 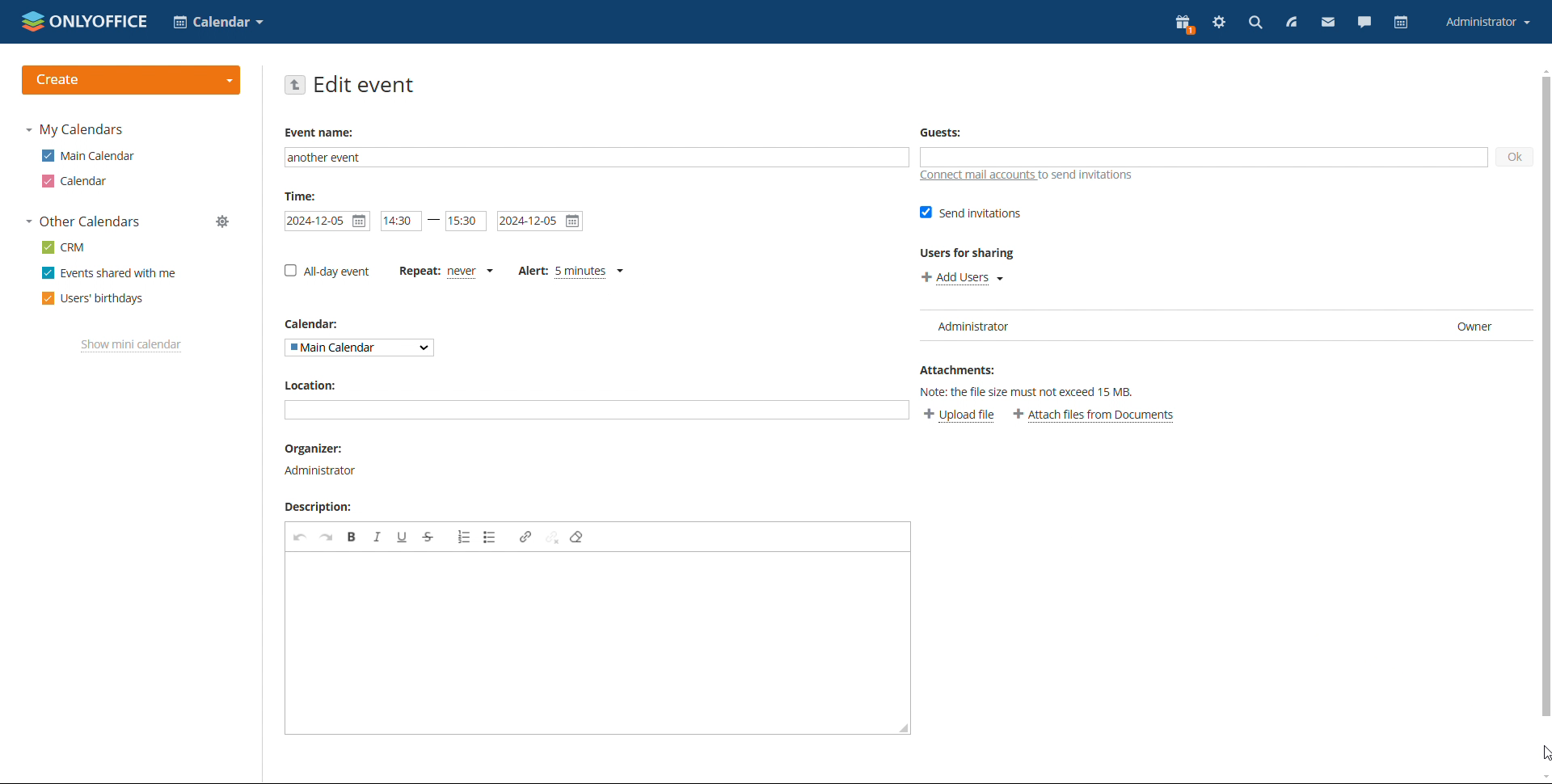 I want to click on feed, so click(x=1290, y=23).